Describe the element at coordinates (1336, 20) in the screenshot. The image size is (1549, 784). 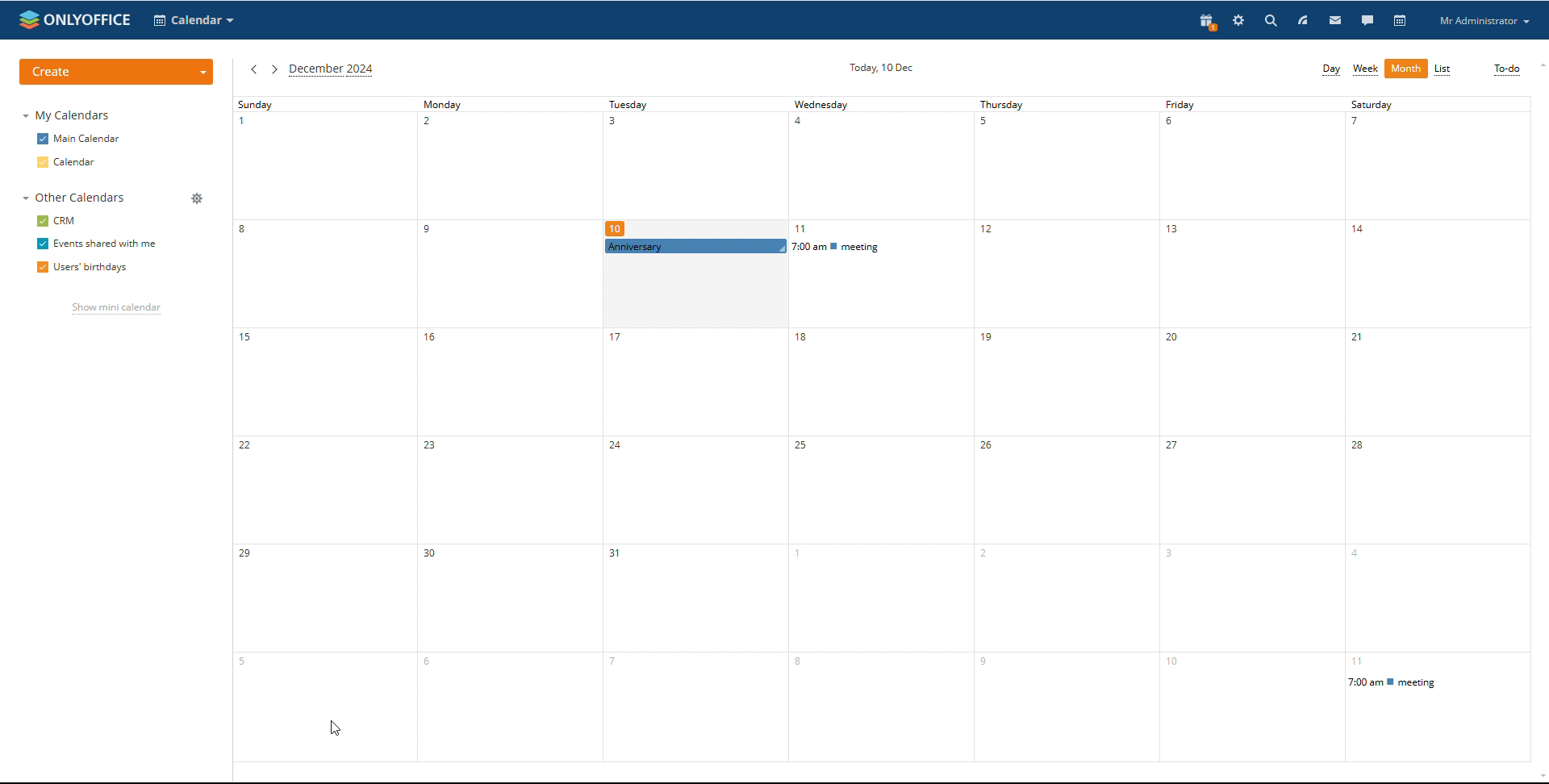
I see `mail` at that location.